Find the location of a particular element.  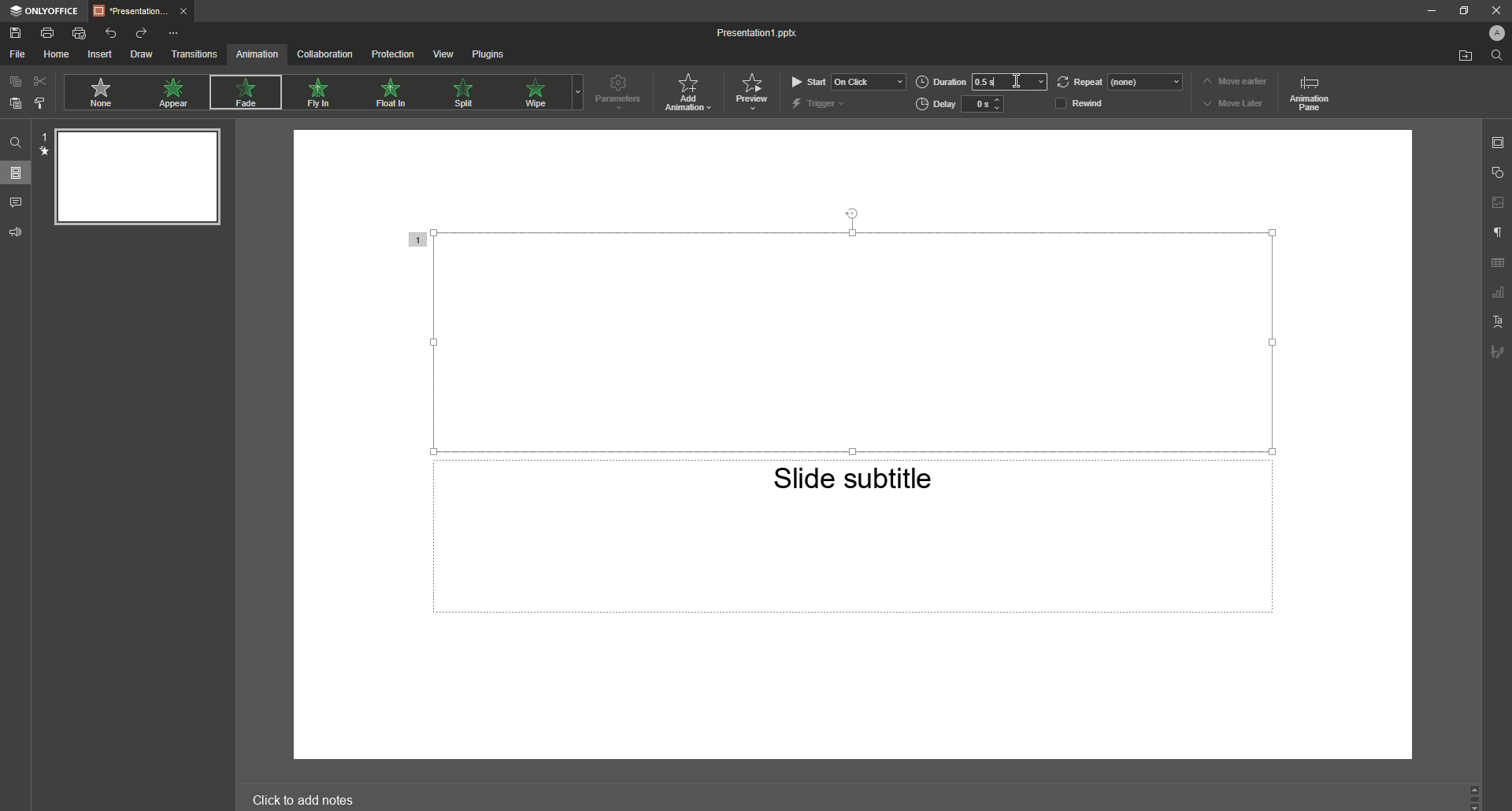

Float In is located at coordinates (393, 94).